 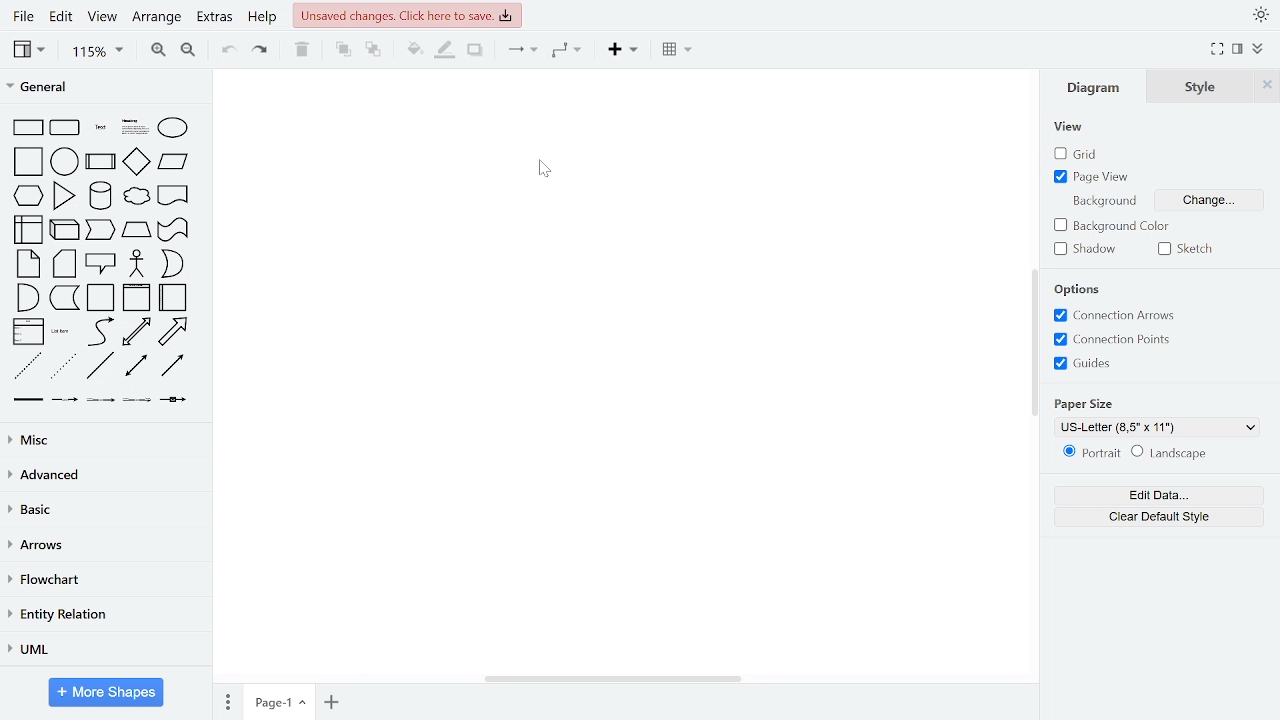 I want to click on clear default style, so click(x=1156, y=517).